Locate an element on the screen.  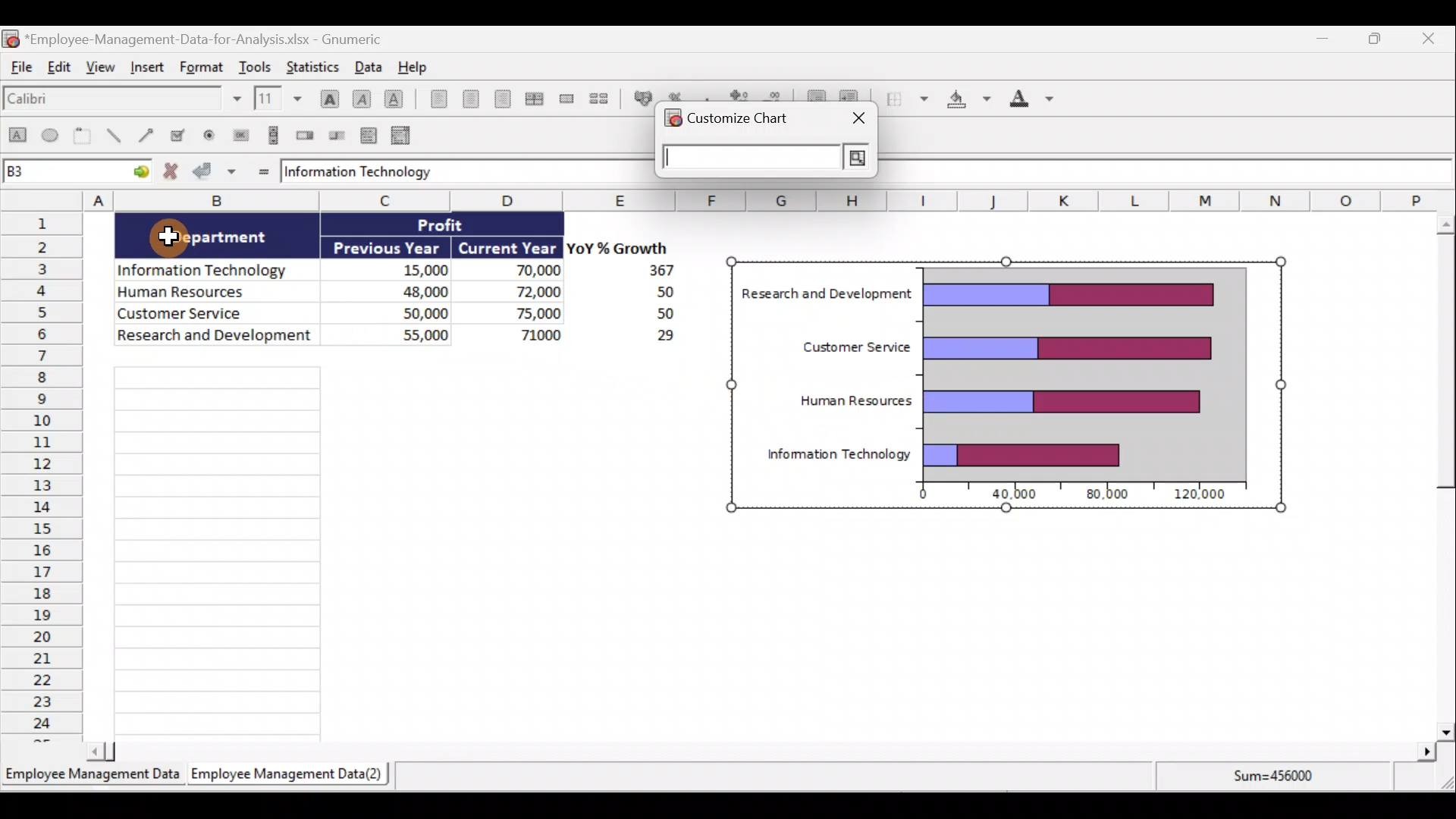
Edit is located at coordinates (60, 67).